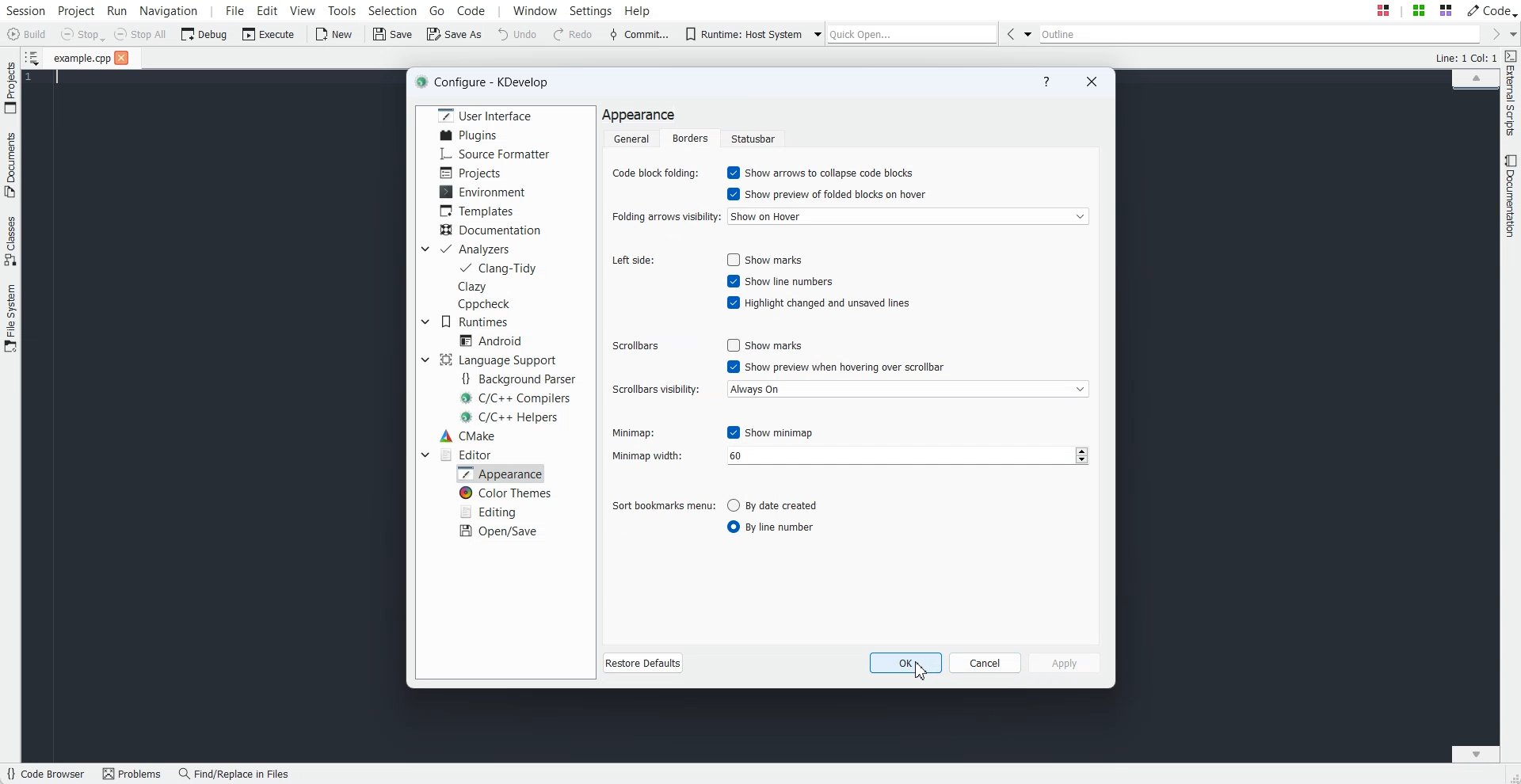 The width and height of the screenshot is (1521, 784). What do you see at coordinates (663, 455) in the screenshot?
I see `Minimap width` at bounding box center [663, 455].